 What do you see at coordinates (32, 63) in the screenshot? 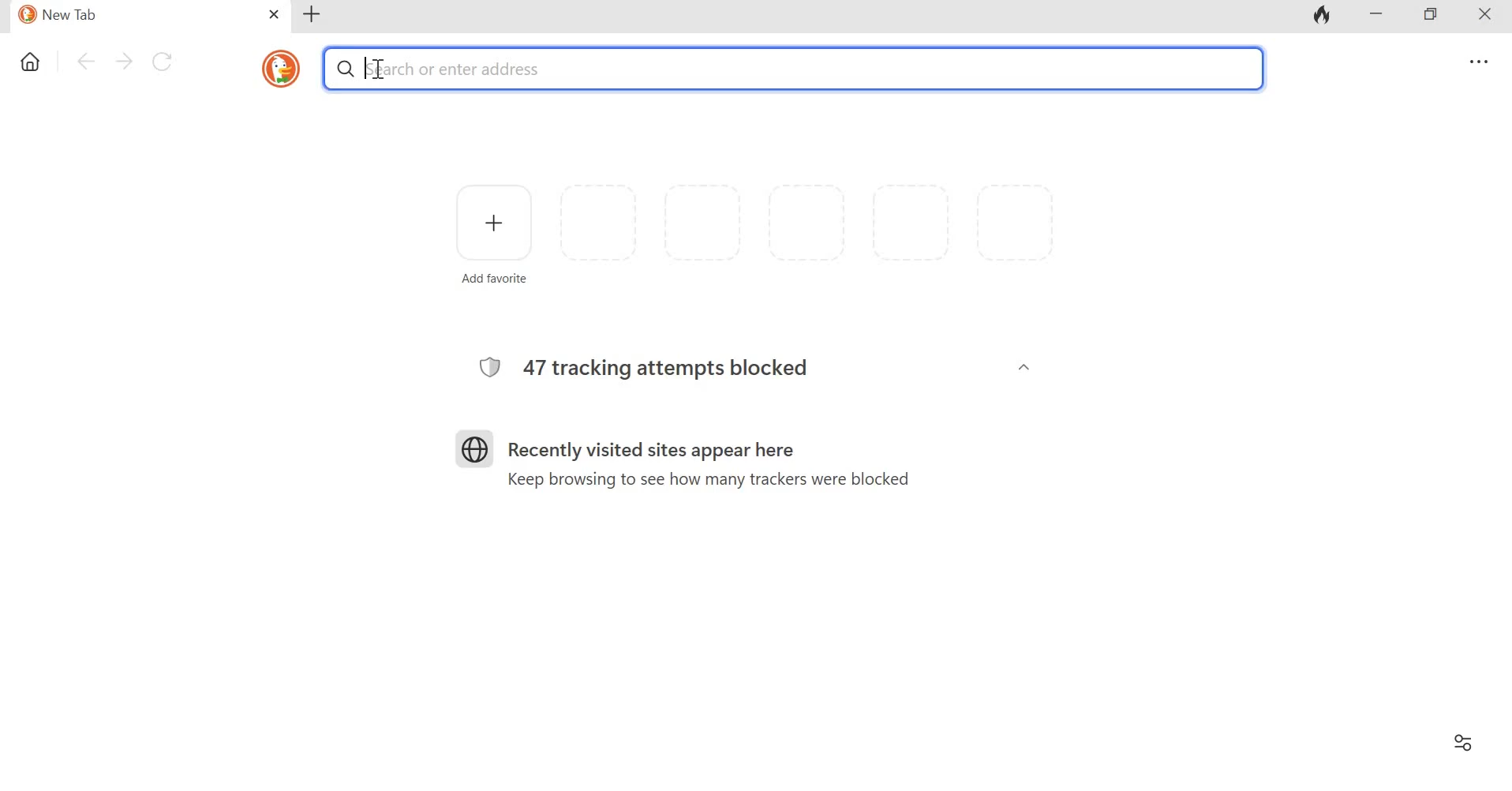
I see `home icon` at bounding box center [32, 63].